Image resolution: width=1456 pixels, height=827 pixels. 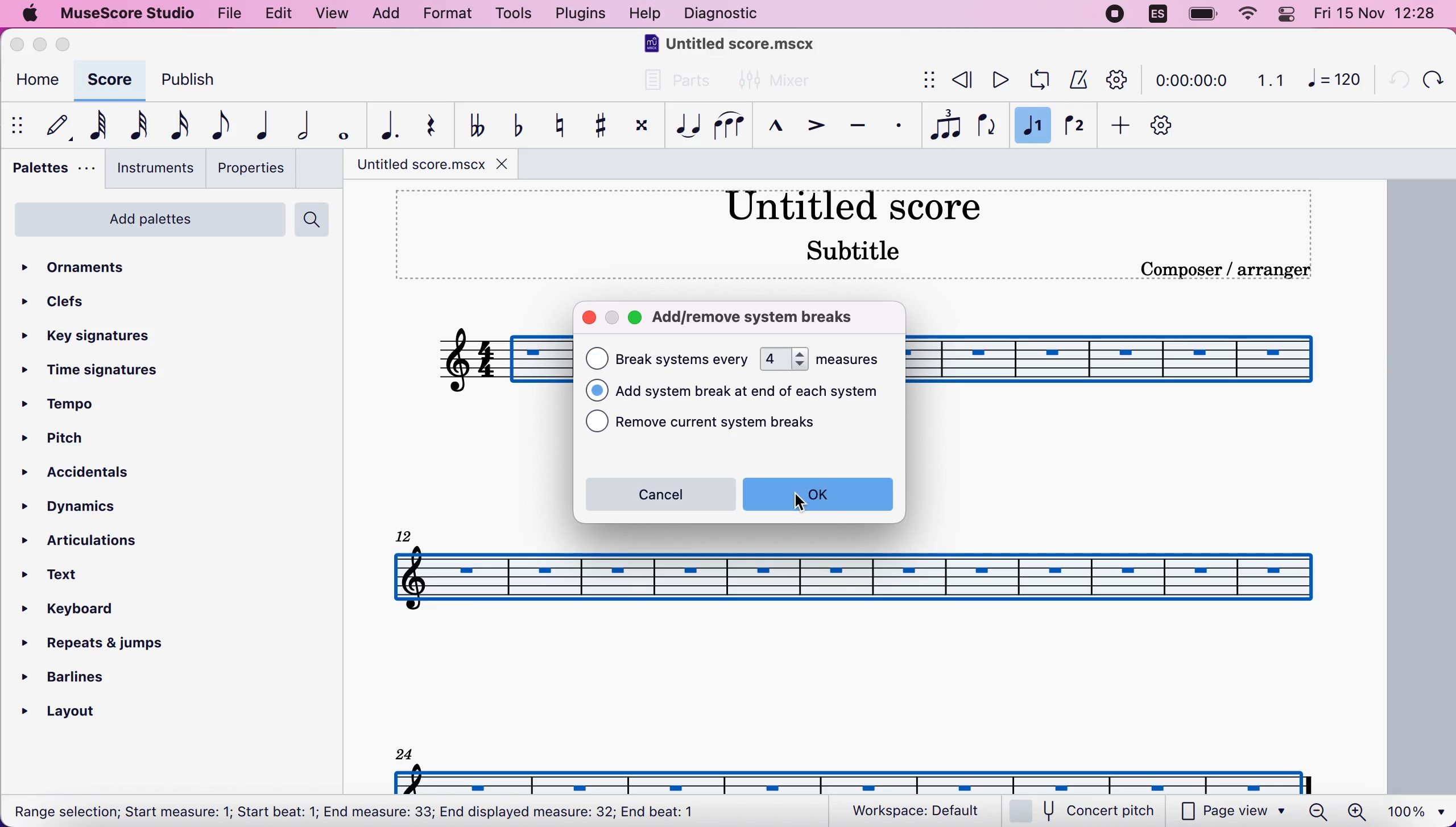 I want to click on search, so click(x=315, y=220).